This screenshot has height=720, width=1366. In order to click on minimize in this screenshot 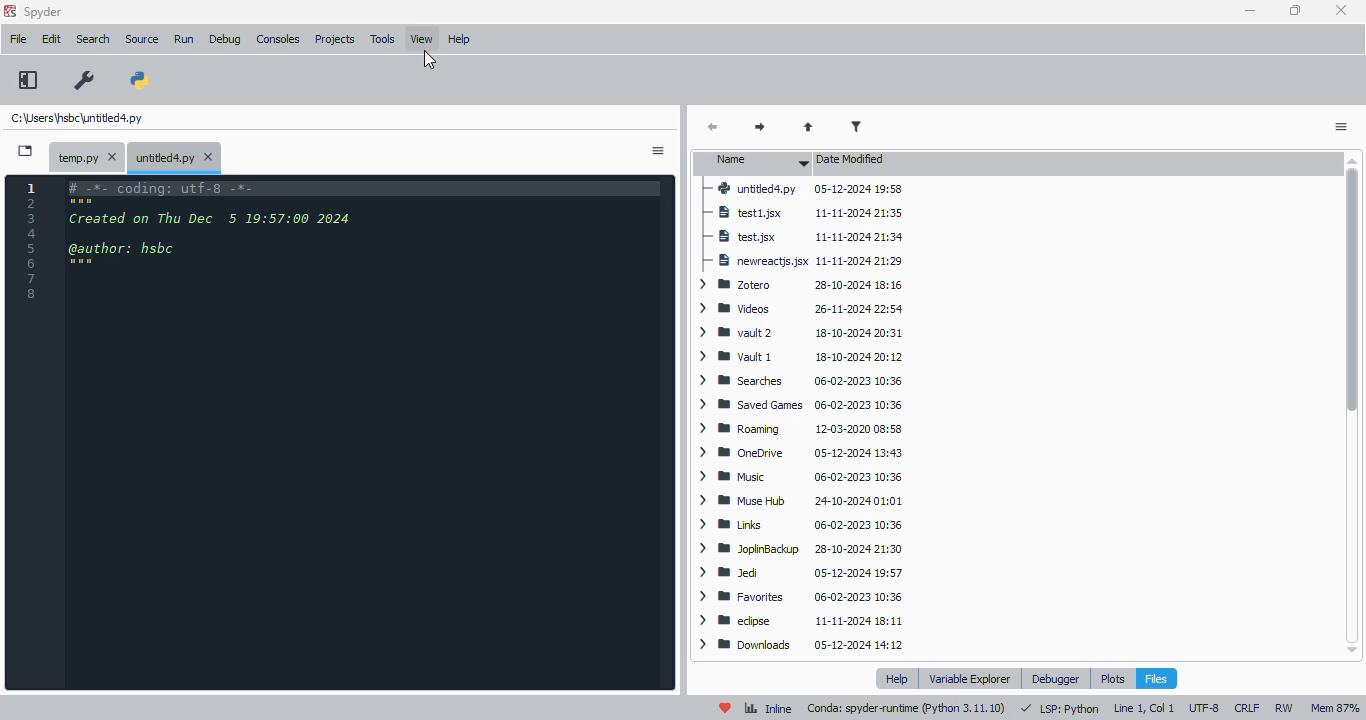, I will do `click(1250, 11)`.